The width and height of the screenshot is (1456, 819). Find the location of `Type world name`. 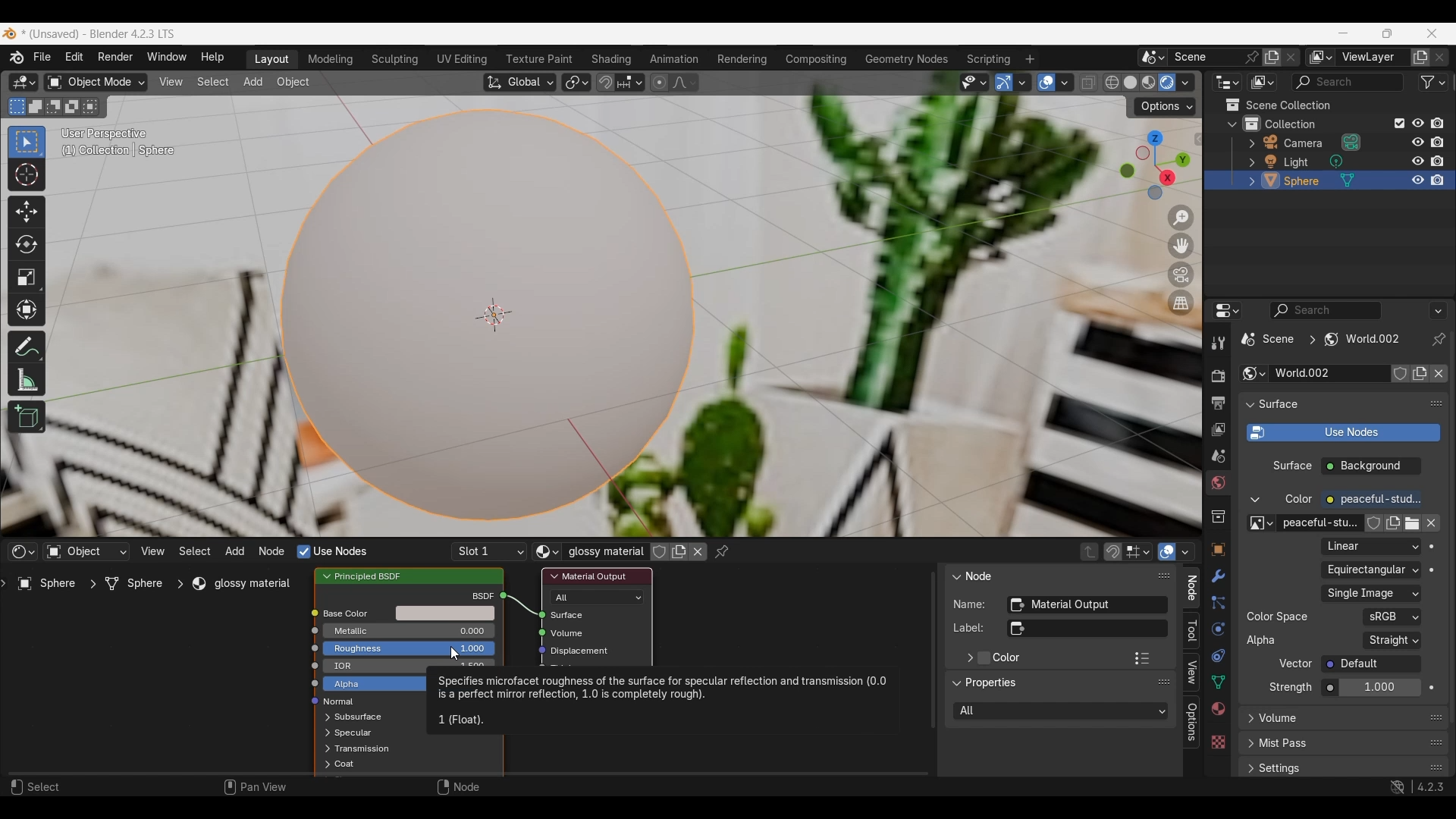

Type world name is located at coordinates (1327, 373).